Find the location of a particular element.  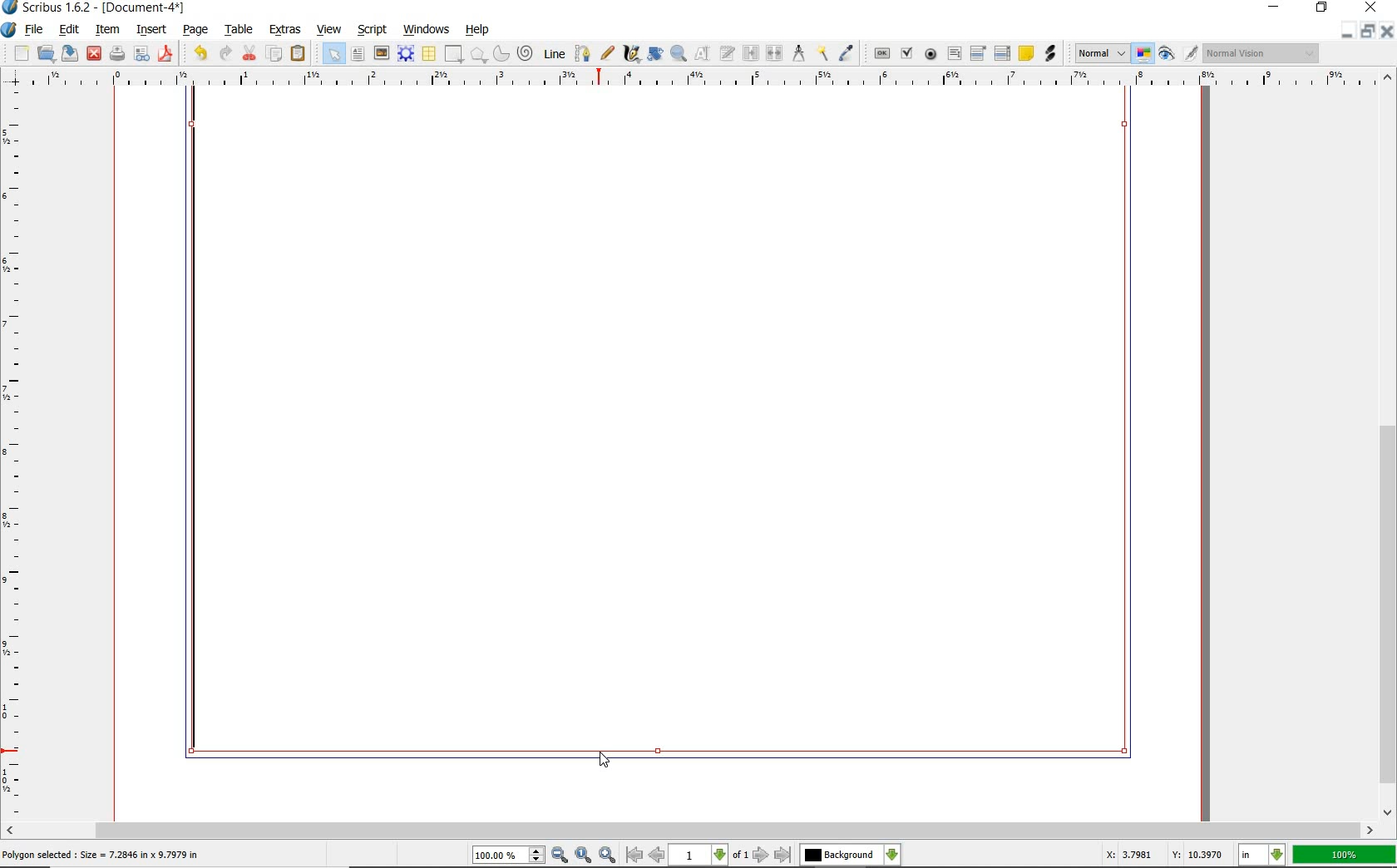

link annotation is located at coordinates (1049, 55).